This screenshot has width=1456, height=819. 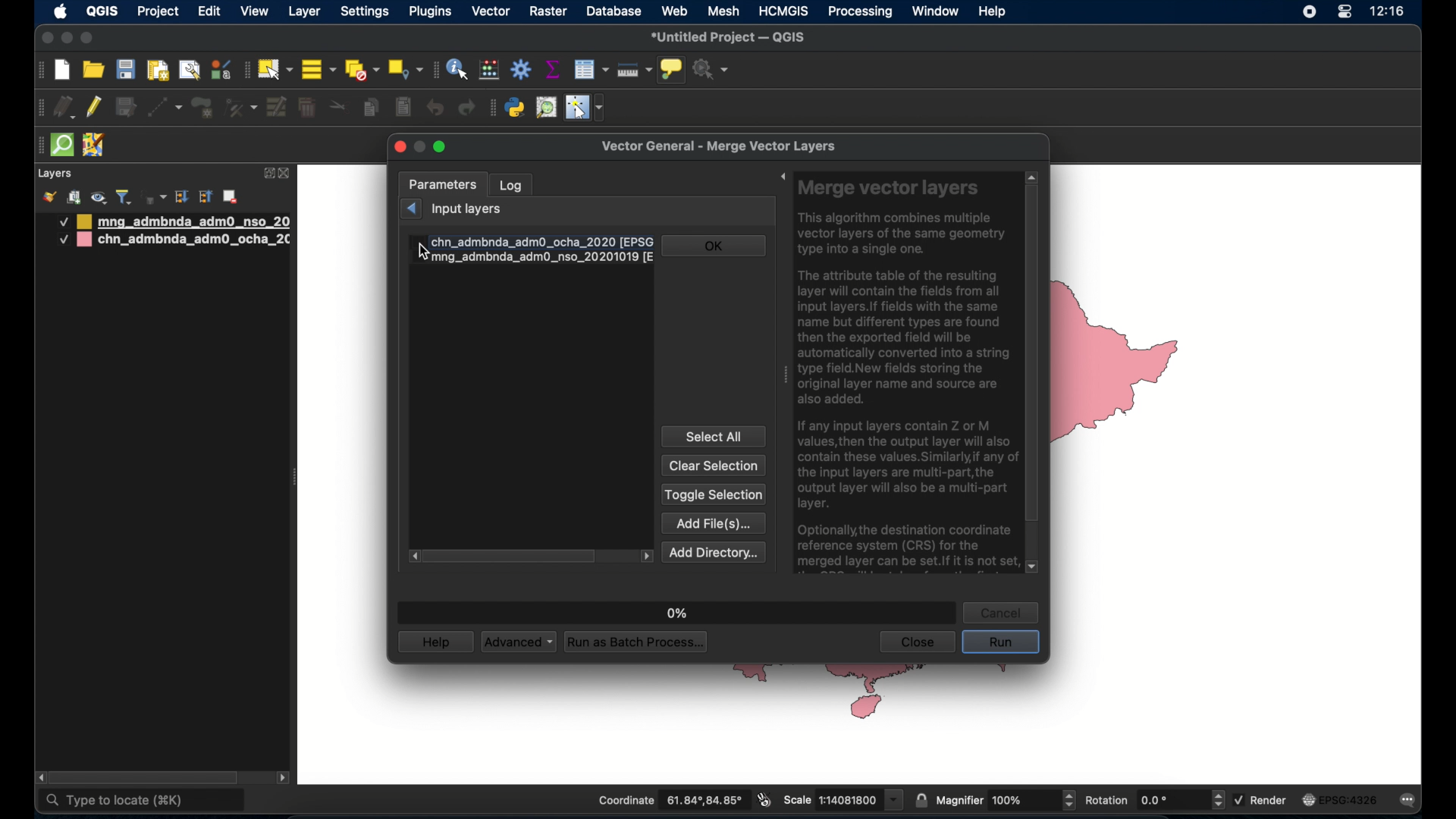 I want to click on attributes toolbar, so click(x=433, y=70).